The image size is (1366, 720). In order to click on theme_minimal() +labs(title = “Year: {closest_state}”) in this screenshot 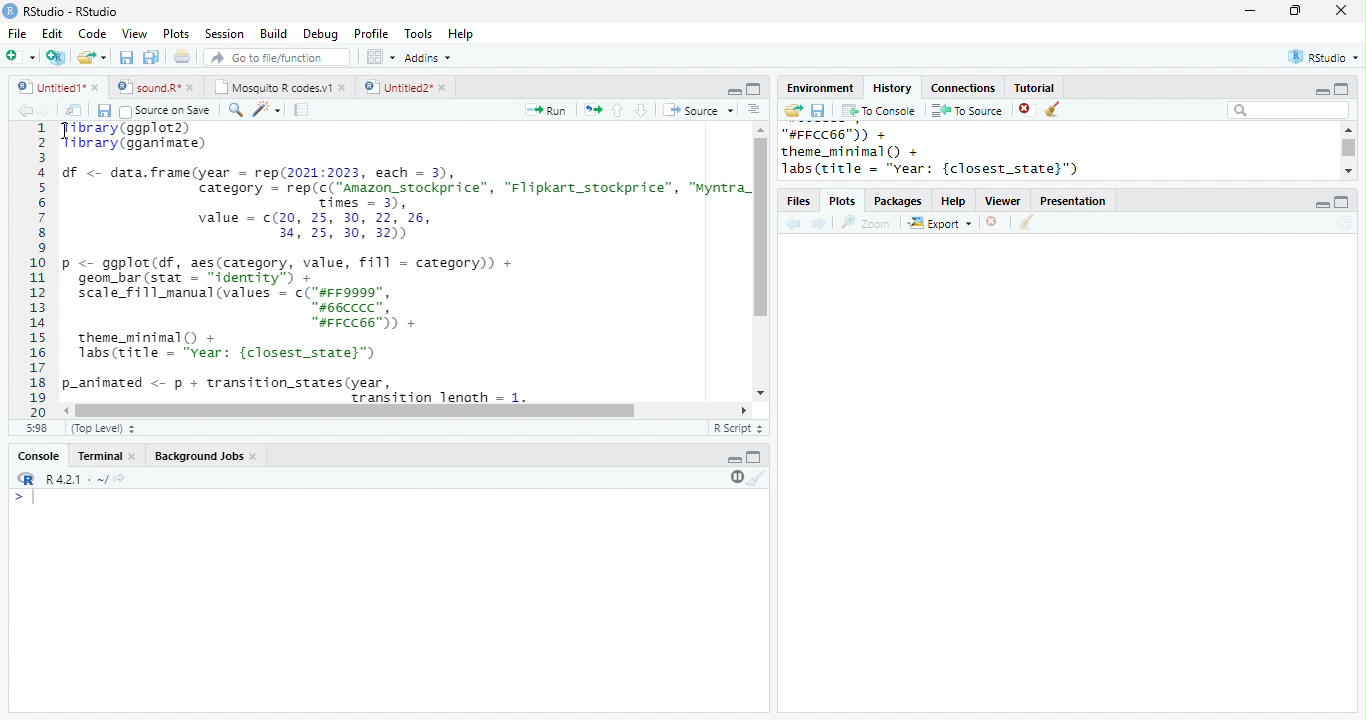, I will do `click(235, 347)`.